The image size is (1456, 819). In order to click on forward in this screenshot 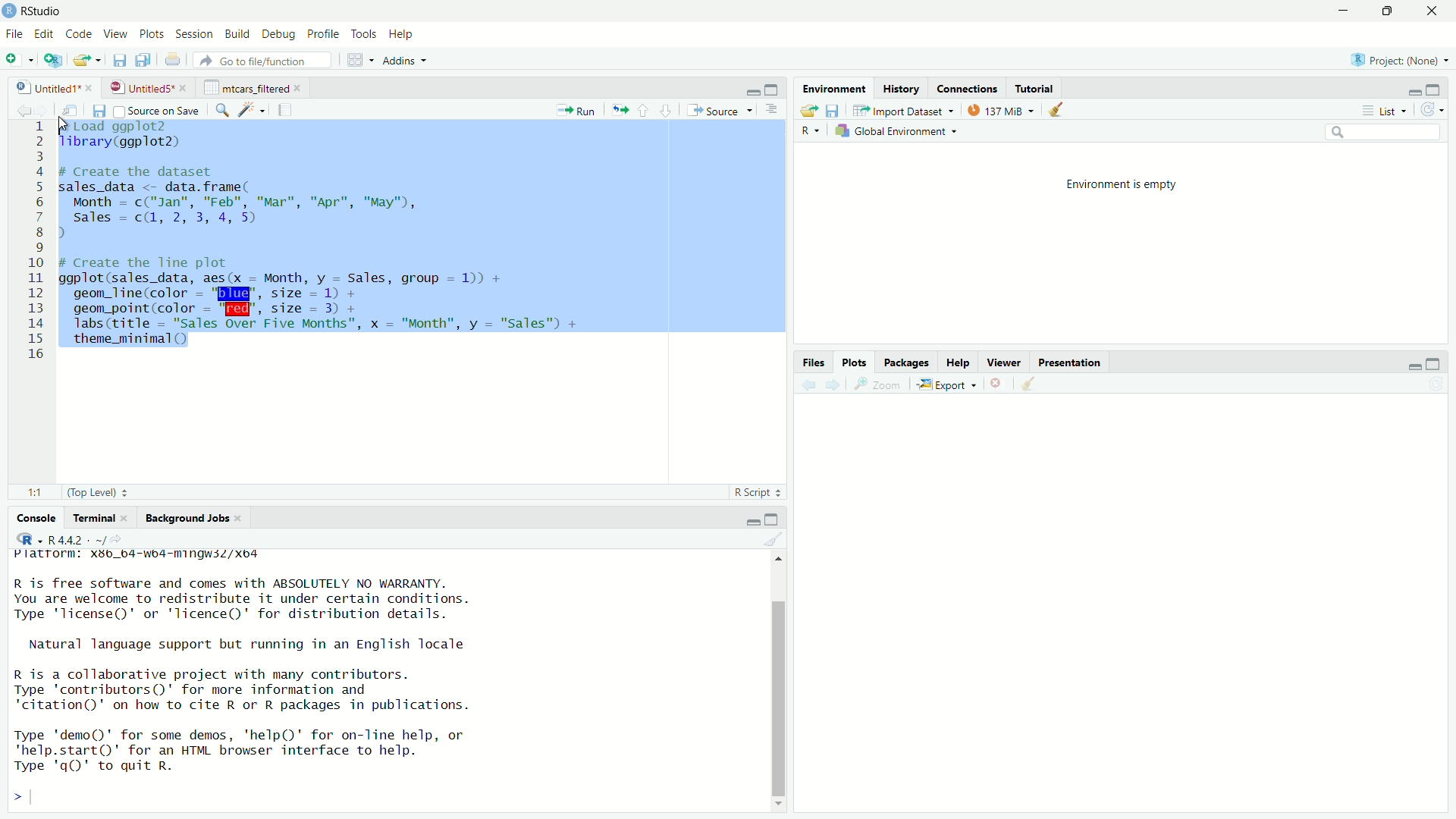, I will do `click(834, 385)`.